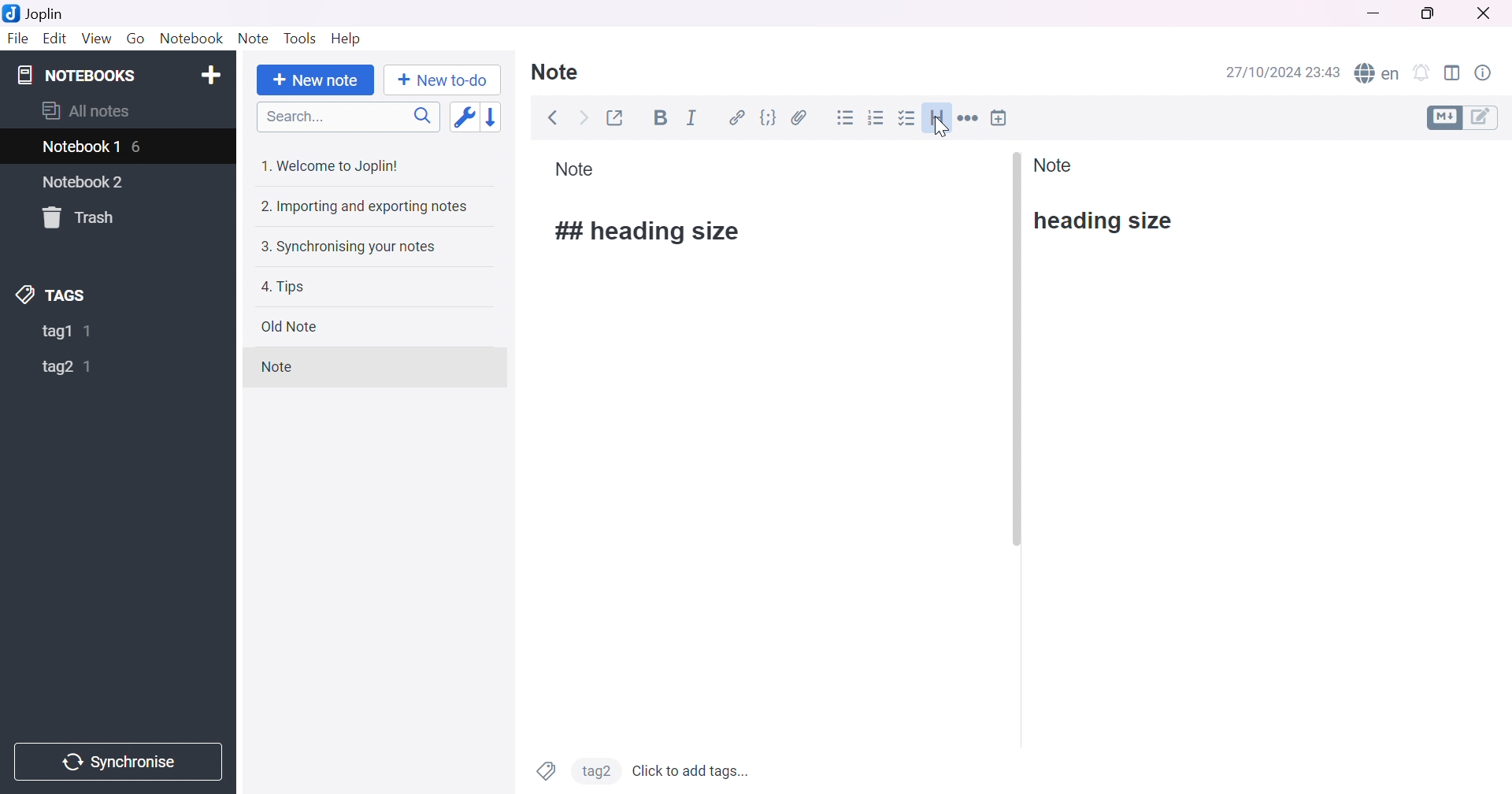 Image resolution: width=1512 pixels, height=794 pixels. What do you see at coordinates (907, 119) in the screenshot?
I see `Checkbox` at bounding box center [907, 119].